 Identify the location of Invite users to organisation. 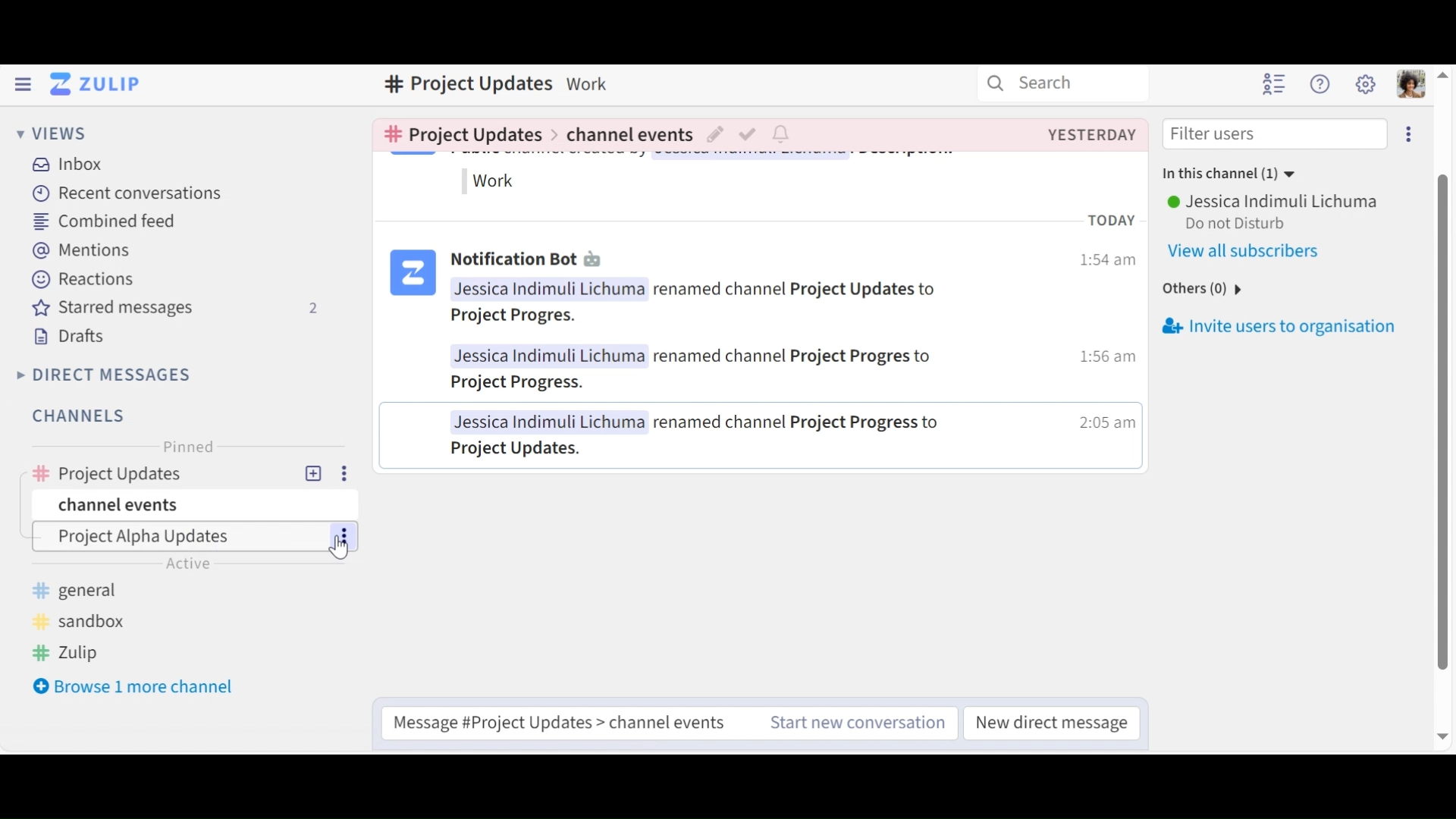
(1409, 134).